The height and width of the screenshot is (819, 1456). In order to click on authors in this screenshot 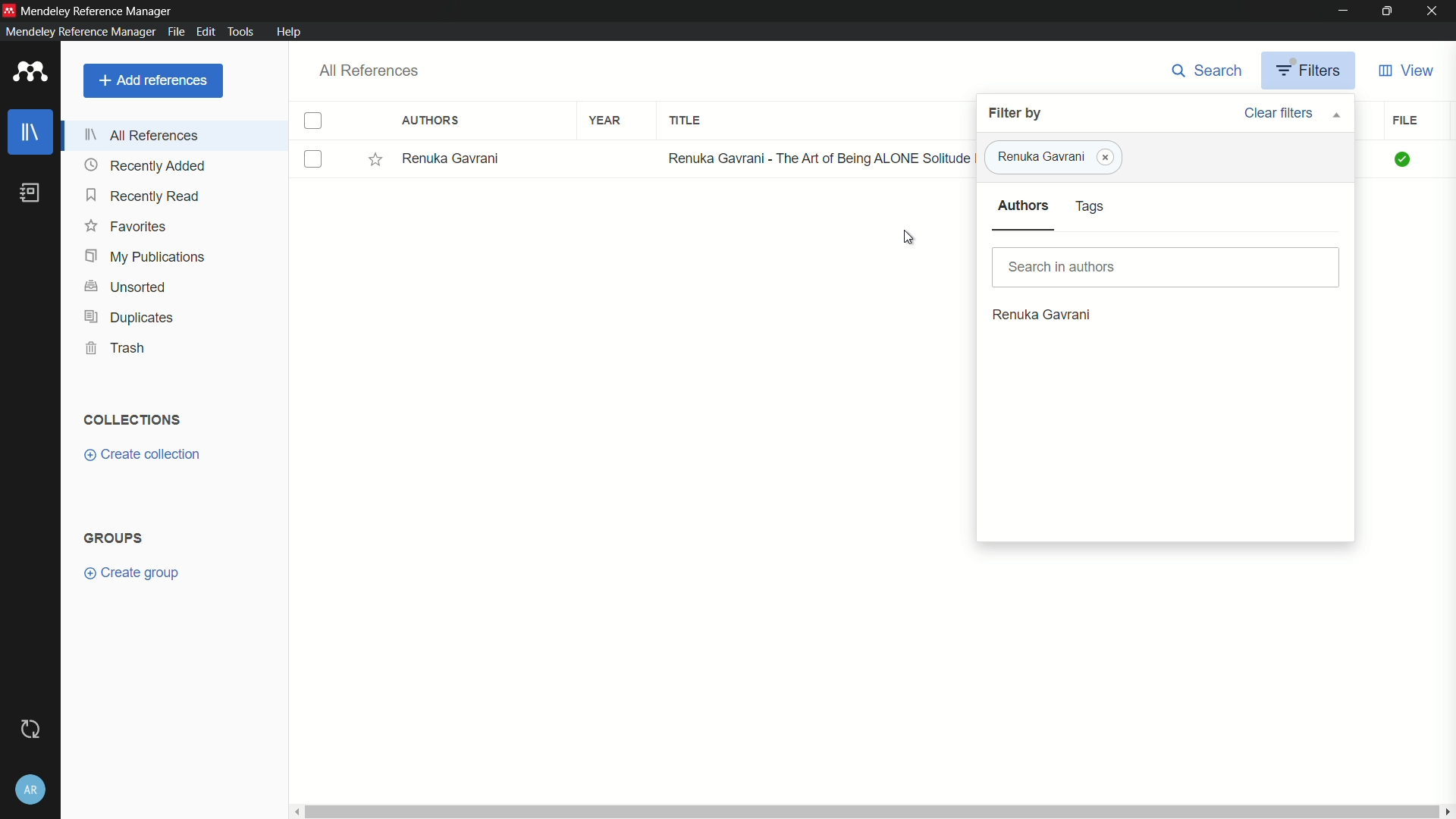, I will do `click(1025, 206)`.